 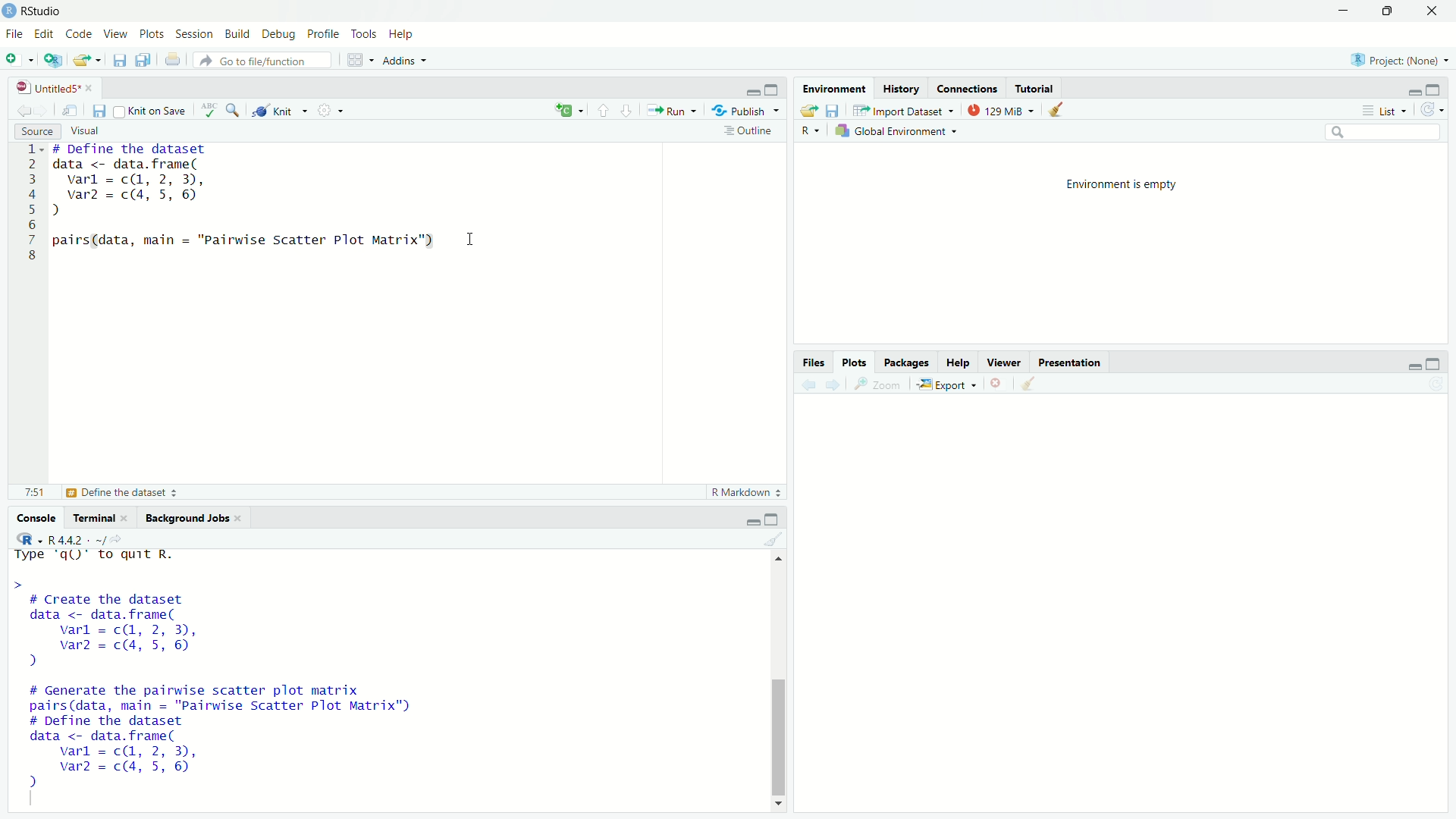 What do you see at coordinates (53, 58) in the screenshot?
I see `Create a project` at bounding box center [53, 58].